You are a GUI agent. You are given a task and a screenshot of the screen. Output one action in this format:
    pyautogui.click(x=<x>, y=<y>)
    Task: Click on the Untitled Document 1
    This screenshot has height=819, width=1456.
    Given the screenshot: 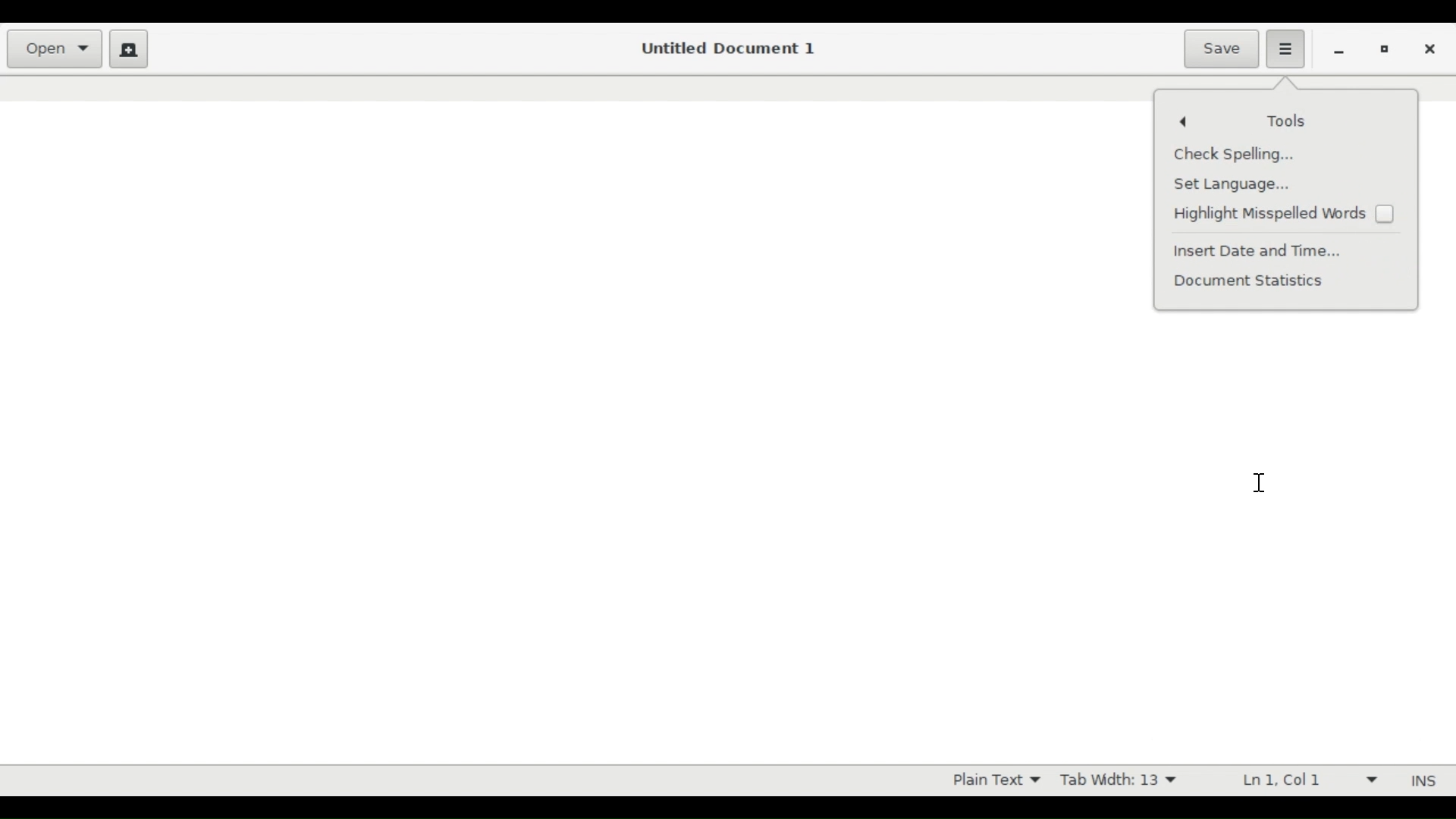 What is the action you would take?
    pyautogui.click(x=731, y=49)
    